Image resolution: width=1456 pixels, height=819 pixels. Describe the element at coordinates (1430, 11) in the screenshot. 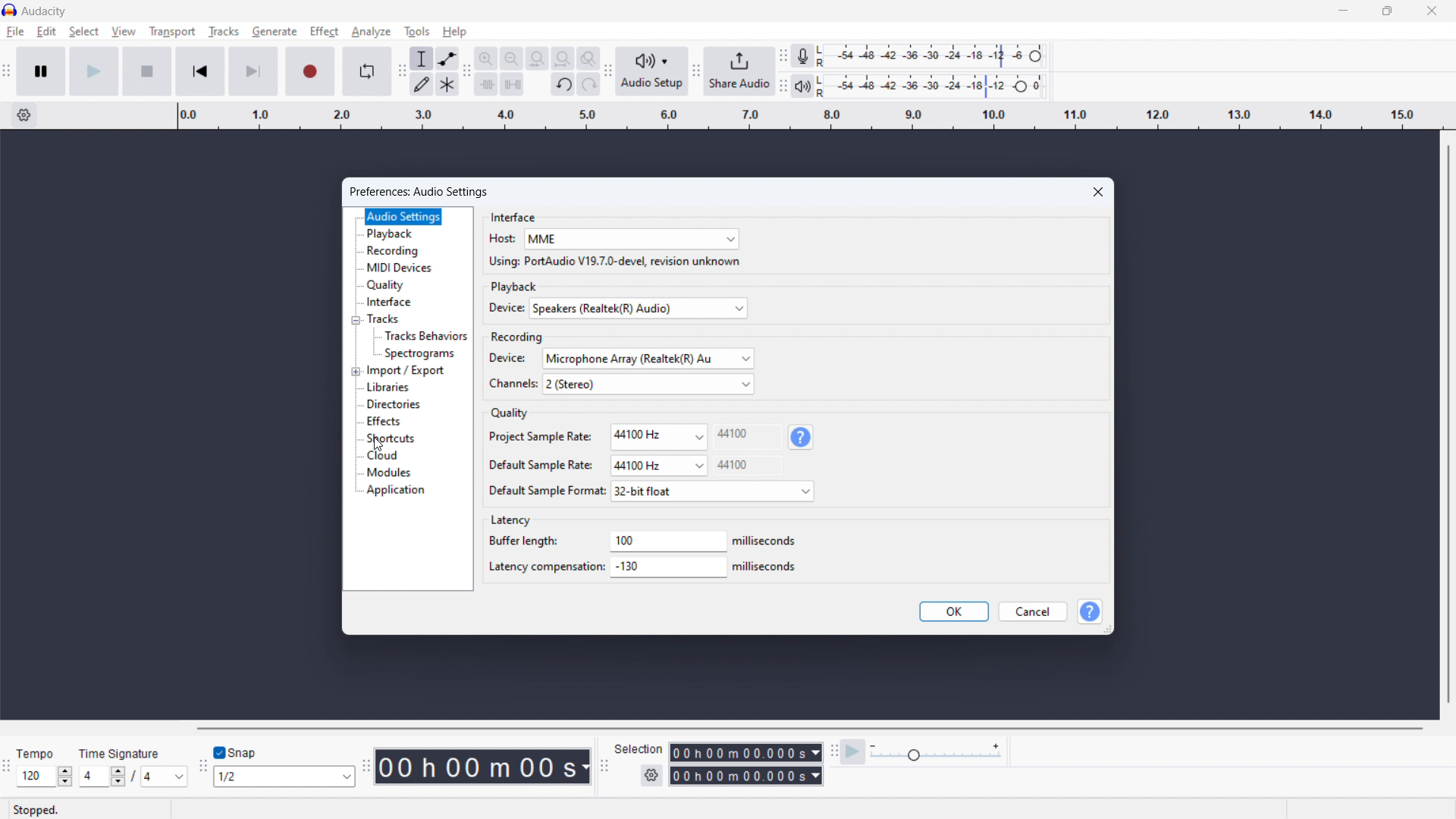

I see `close` at that location.